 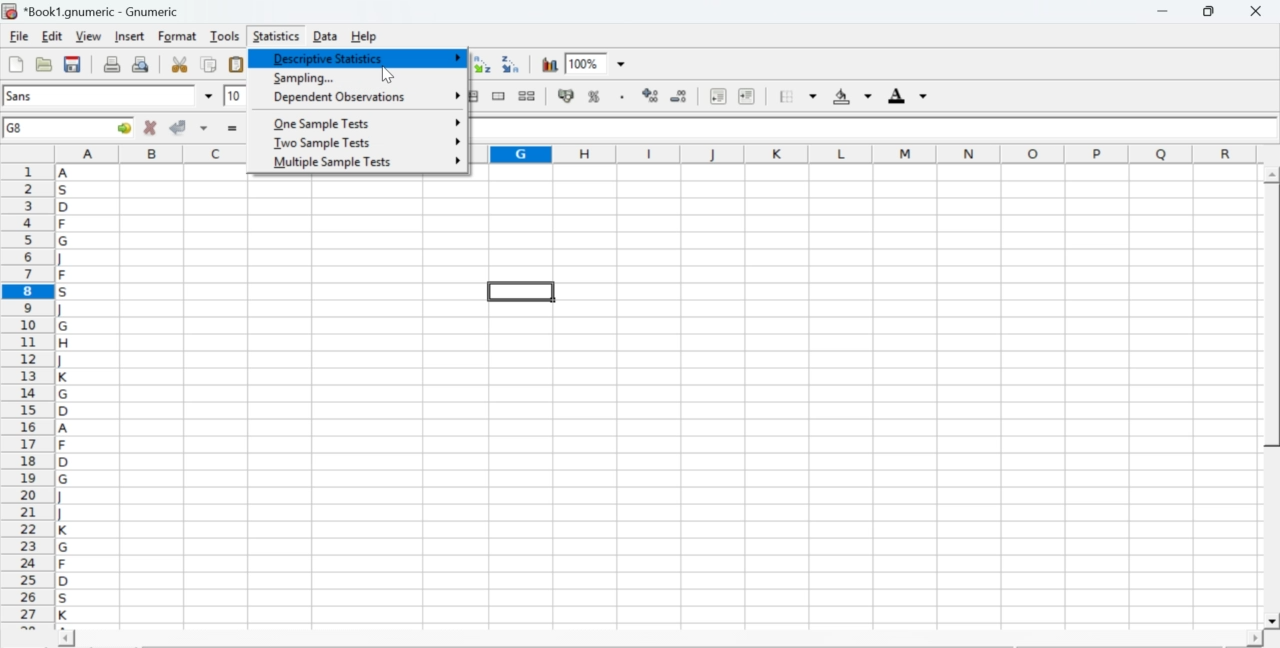 I want to click on enter formula, so click(x=234, y=129).